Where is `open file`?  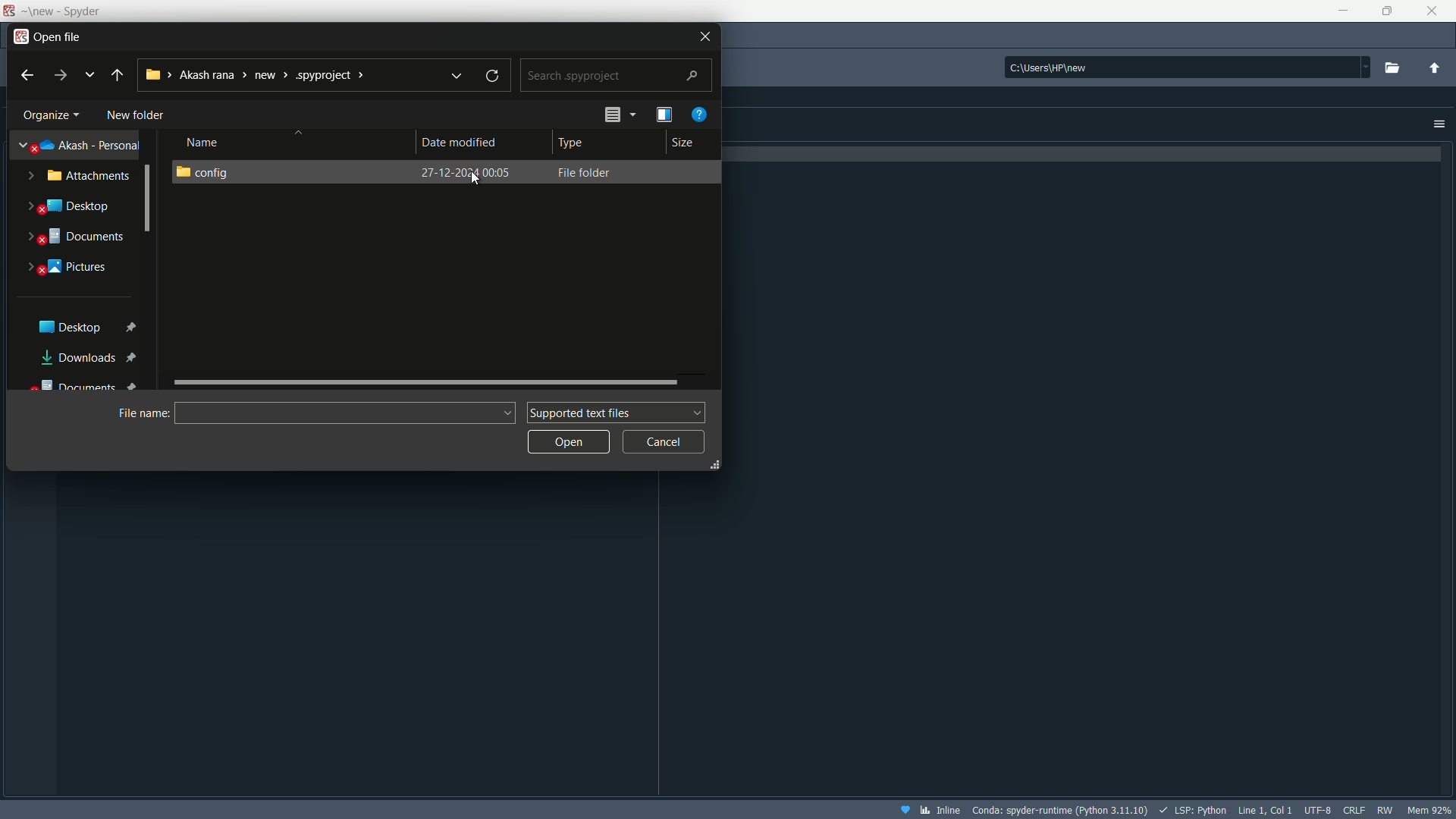
open file is located at coordinates (61, 36).